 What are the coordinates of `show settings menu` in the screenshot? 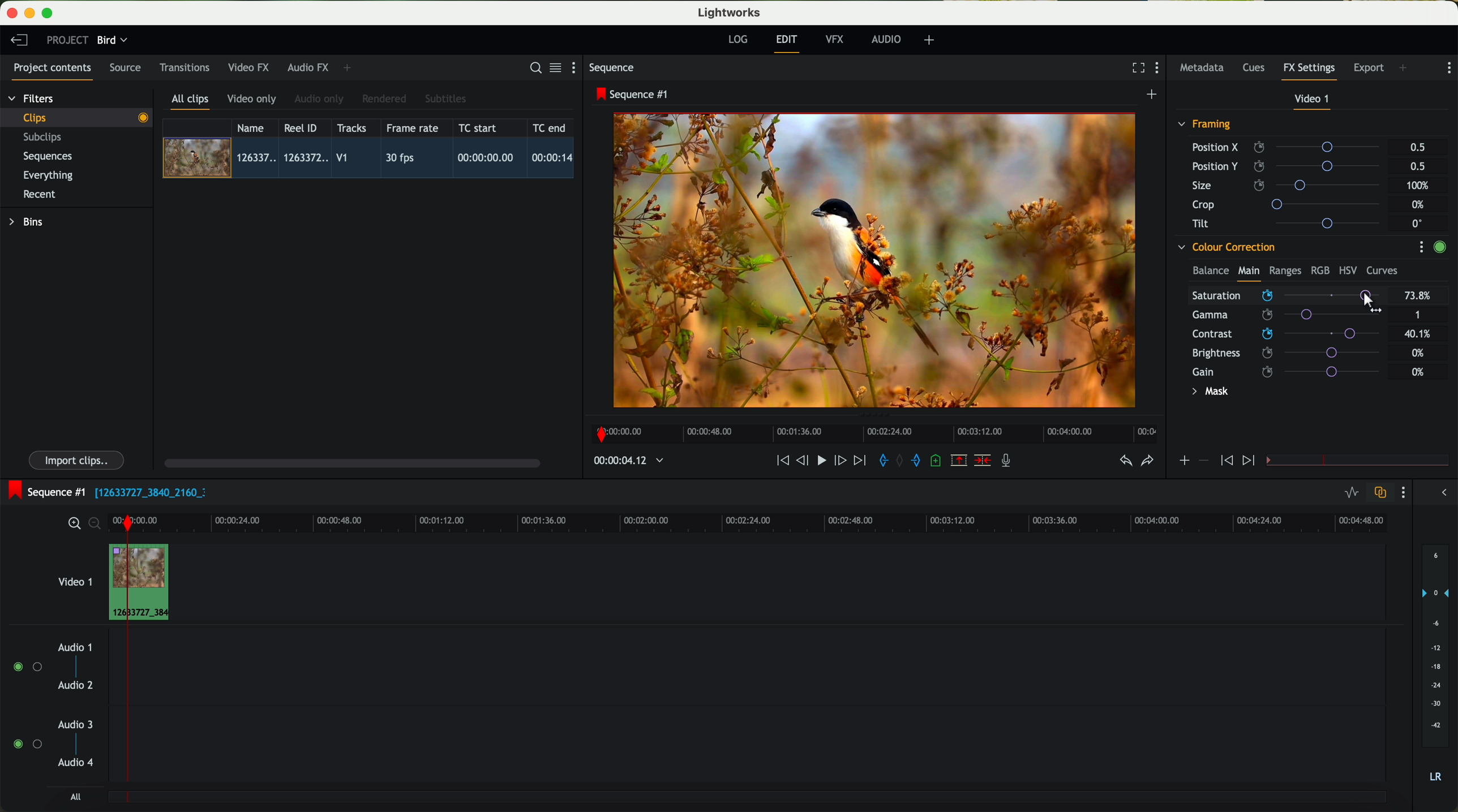 It's located at (578, 67).